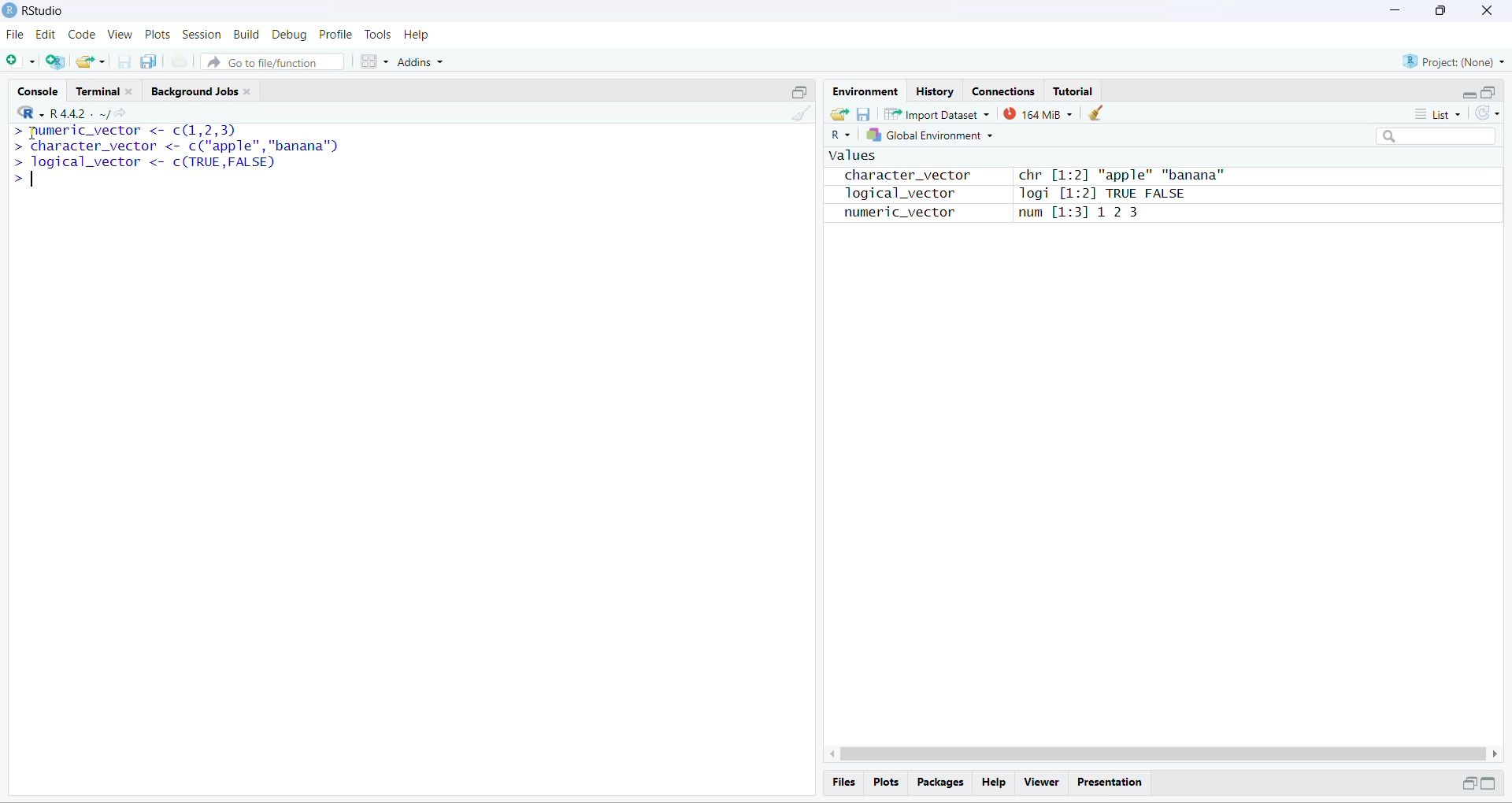  Describe the element at coordinates (890, 213) in the screenshot. I see `numeric_vector` at that location.